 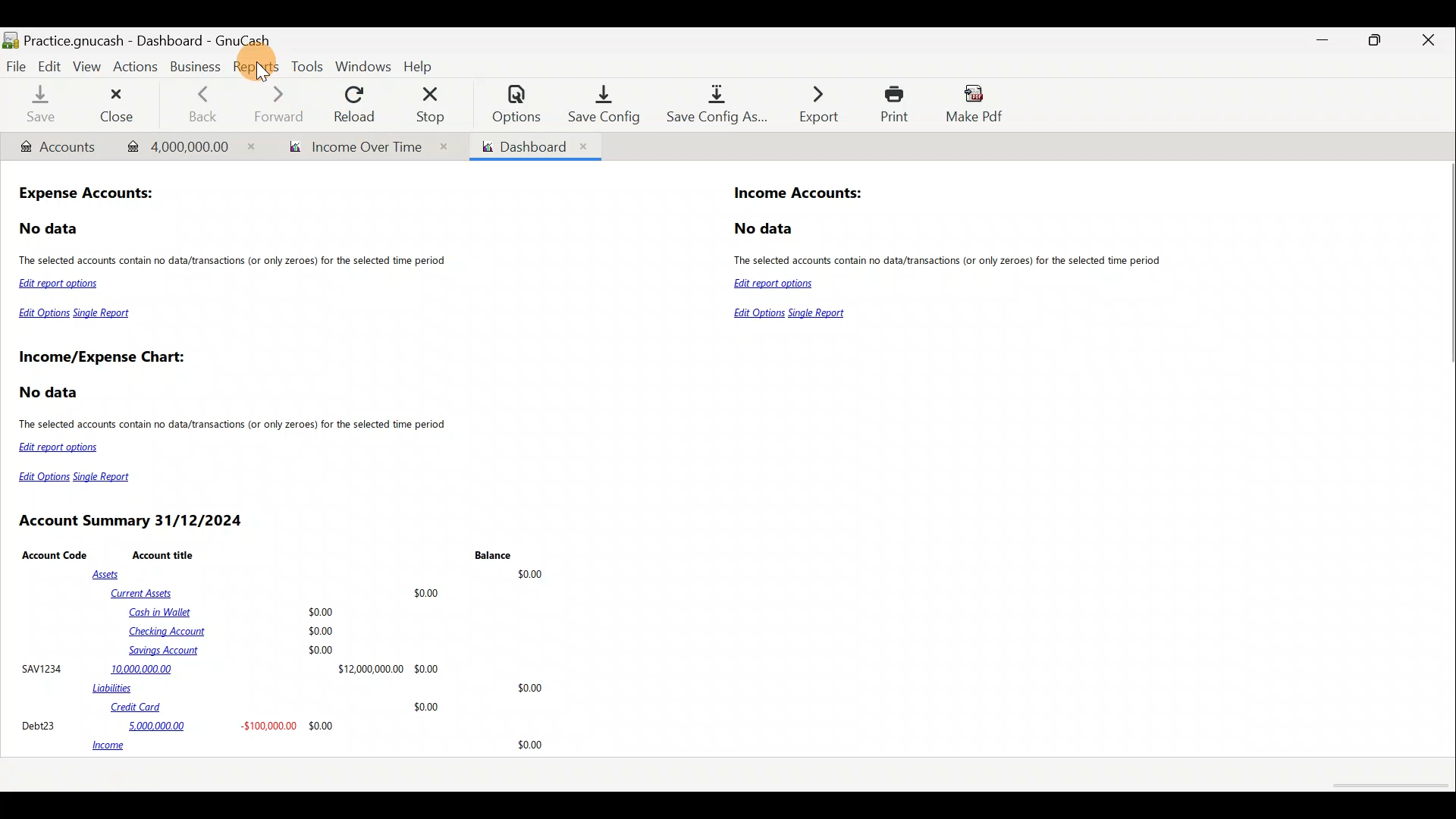 What do you see at coordinates (317, 746) in the screenshot?
I see `income 30.00` at bounding box center [317, 746].